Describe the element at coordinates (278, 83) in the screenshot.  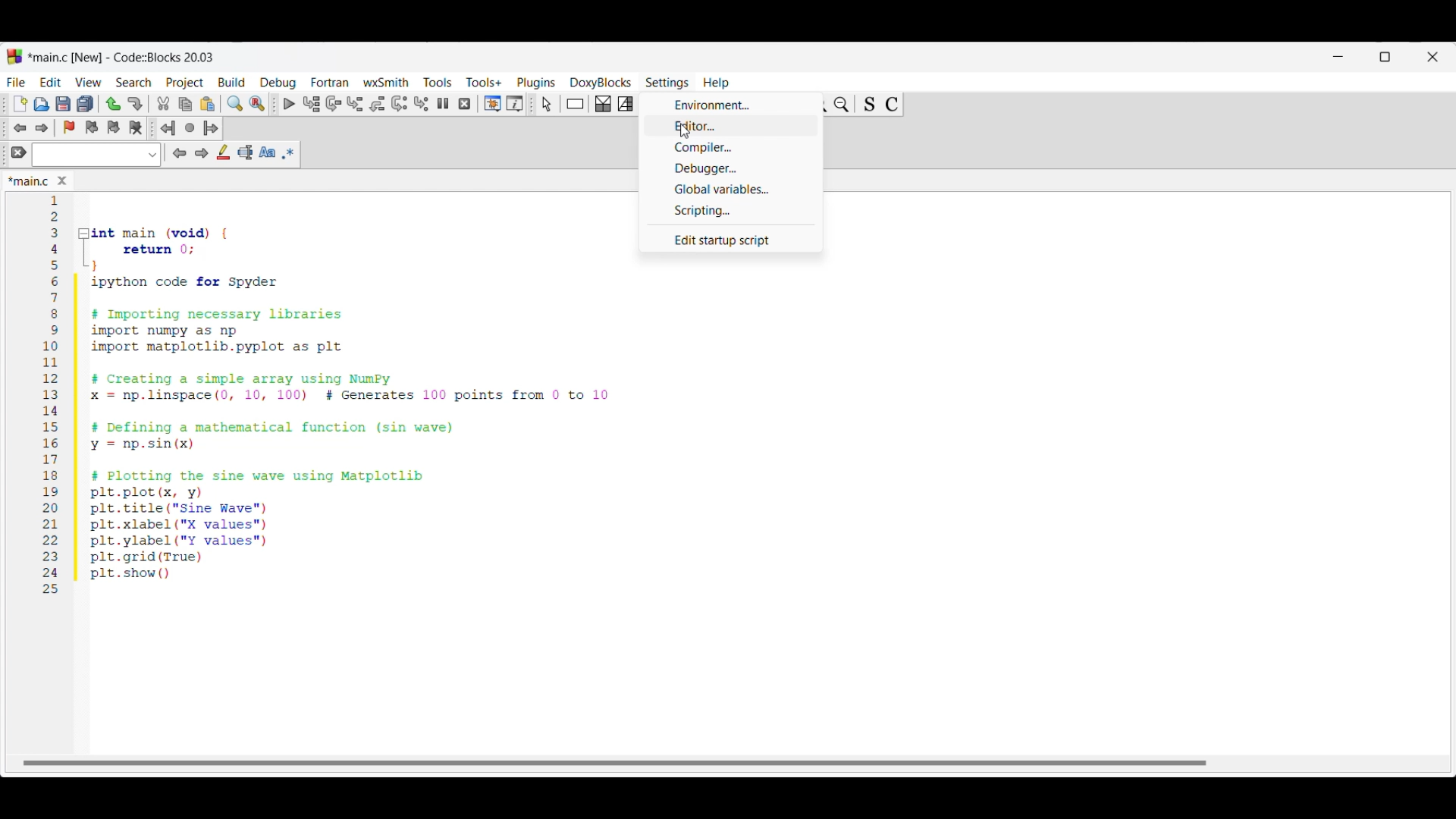
I see `Debug menu` at that location.